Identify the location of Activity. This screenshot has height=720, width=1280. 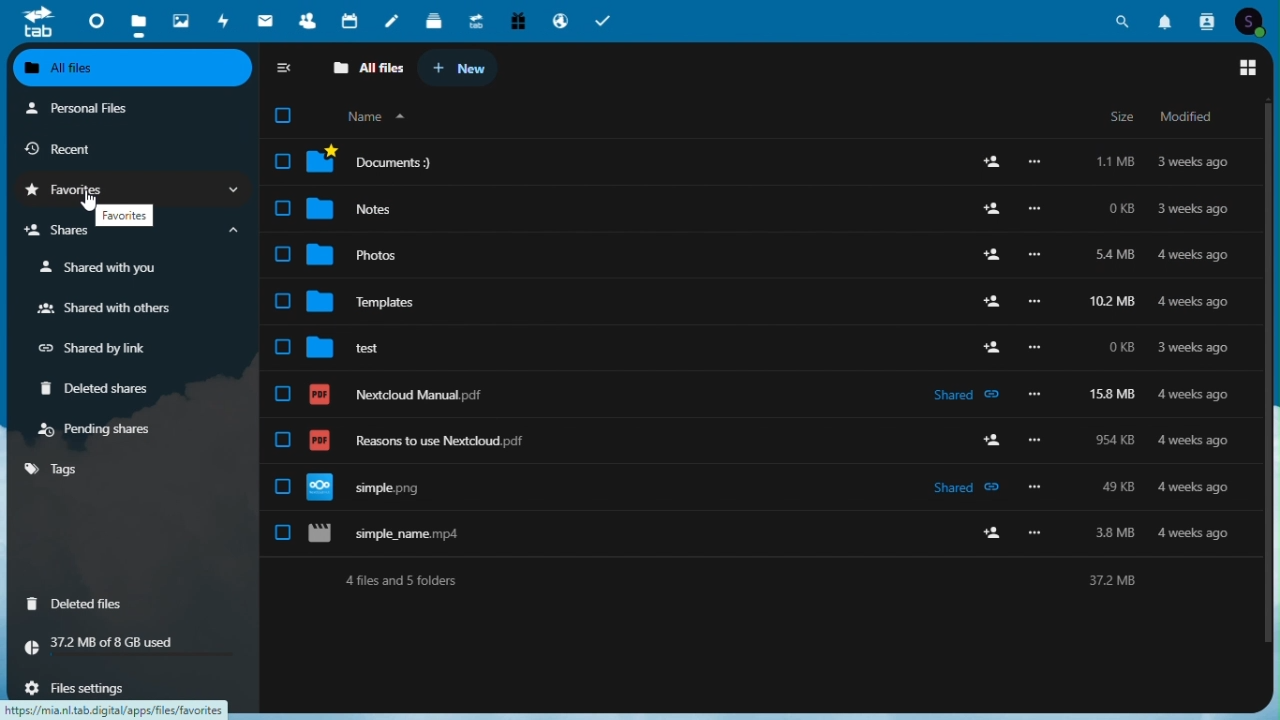
(224, 20).